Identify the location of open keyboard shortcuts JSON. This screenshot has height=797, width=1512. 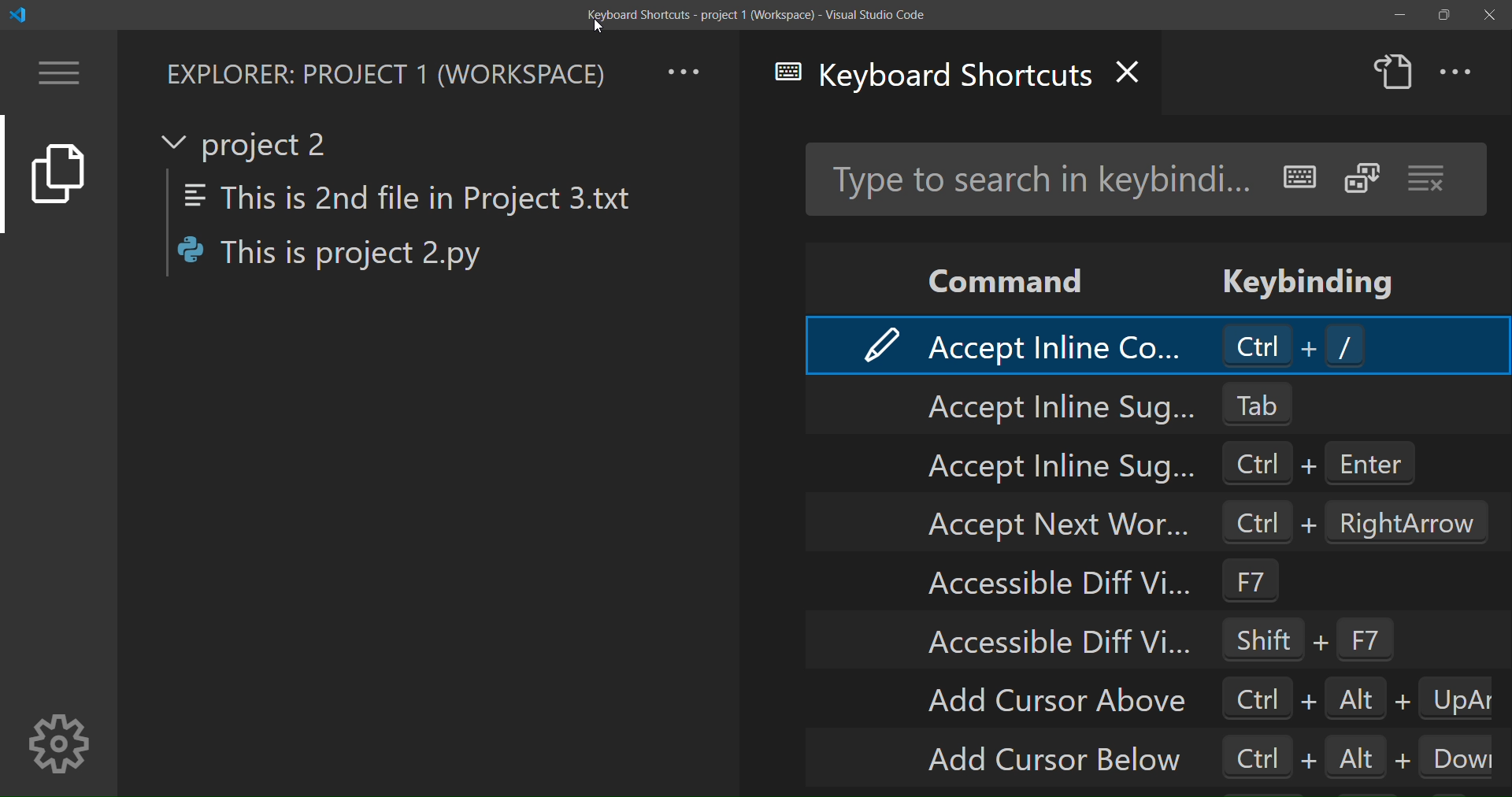
(1393, 72).